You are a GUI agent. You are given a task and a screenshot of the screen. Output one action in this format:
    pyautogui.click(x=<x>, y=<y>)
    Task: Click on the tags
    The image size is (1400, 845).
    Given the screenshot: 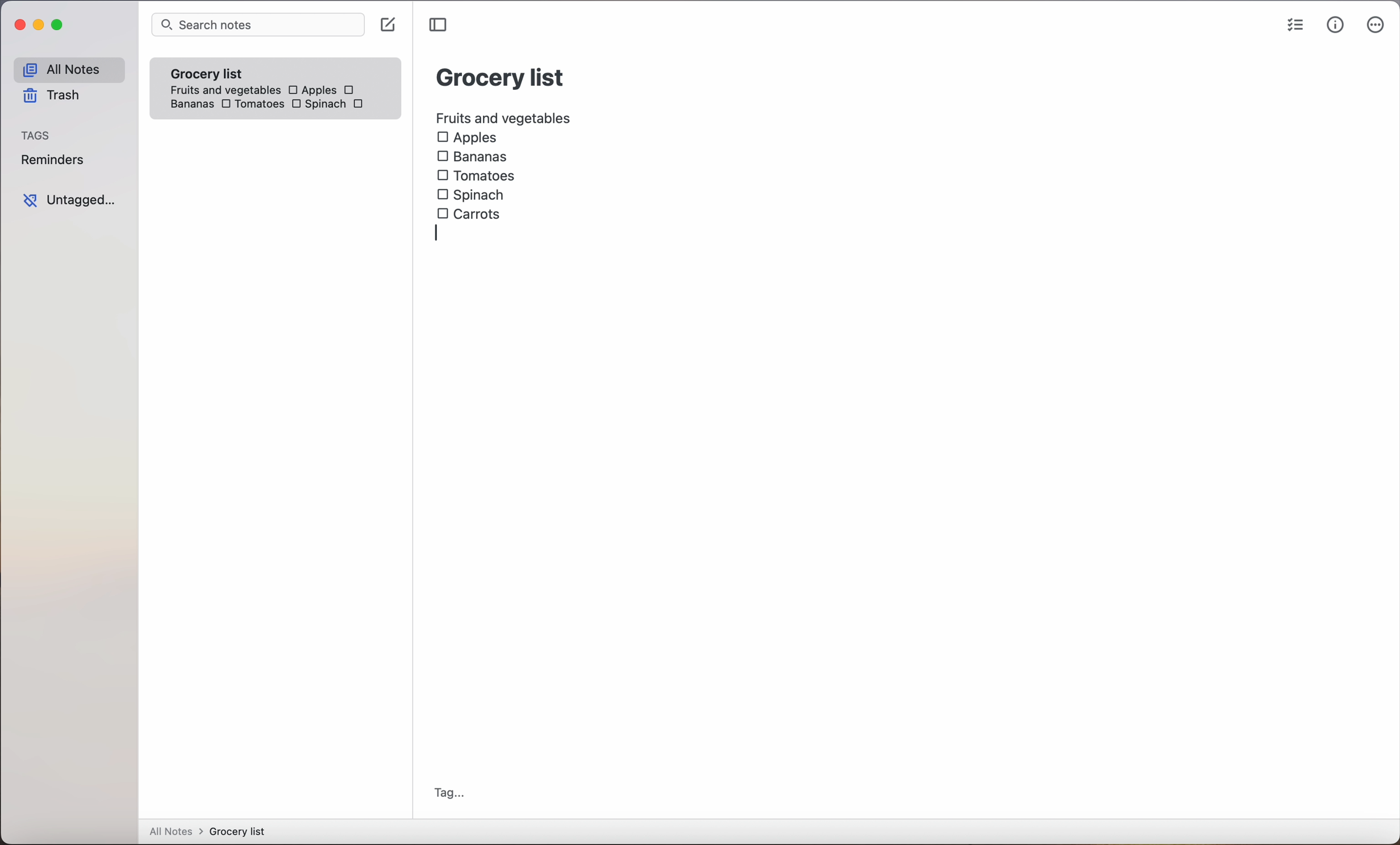 What is the action you would take?
    pyautogui.click(x=37, y=136)
    